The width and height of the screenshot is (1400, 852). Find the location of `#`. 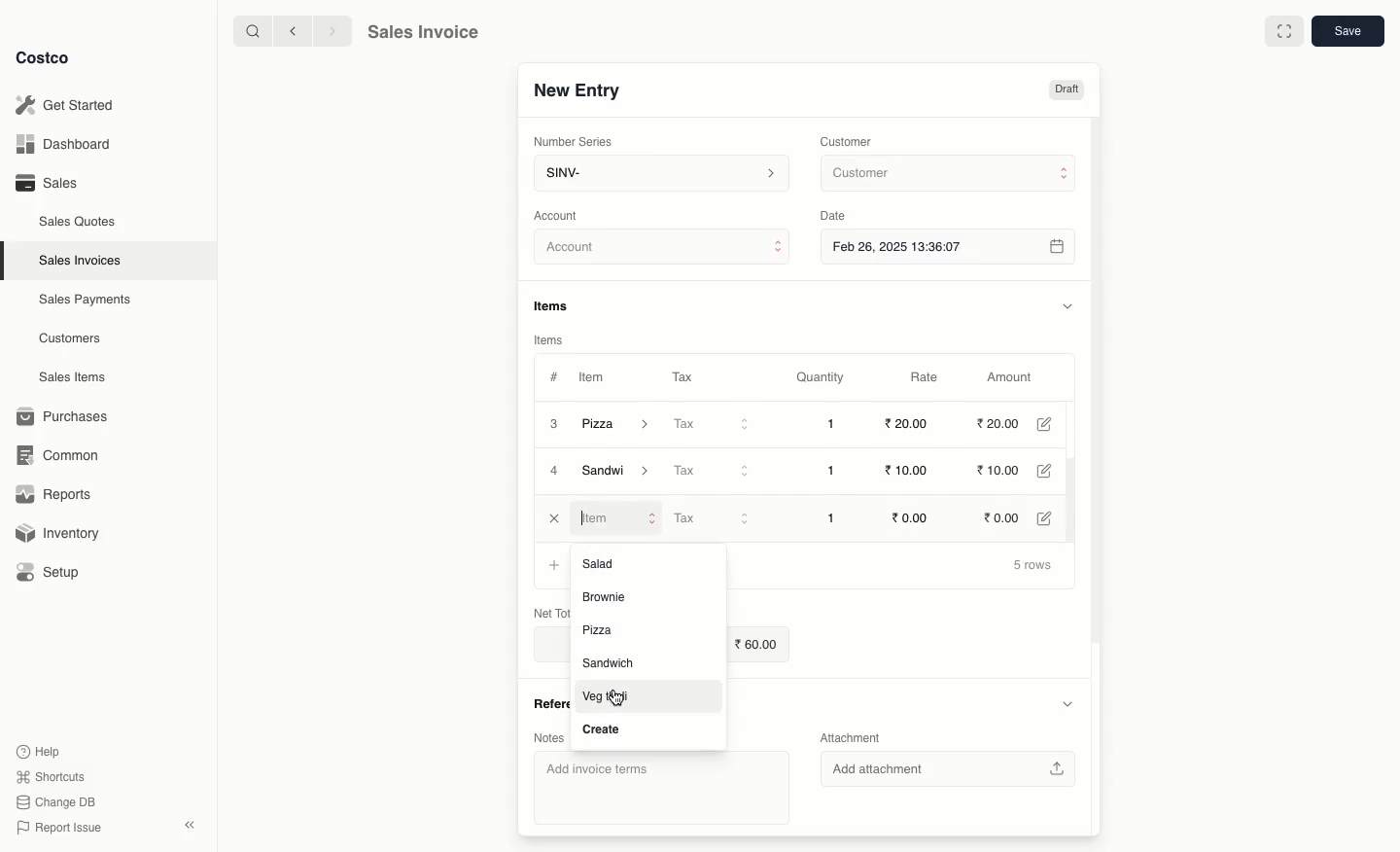

# is located at coordinates (554, 375).